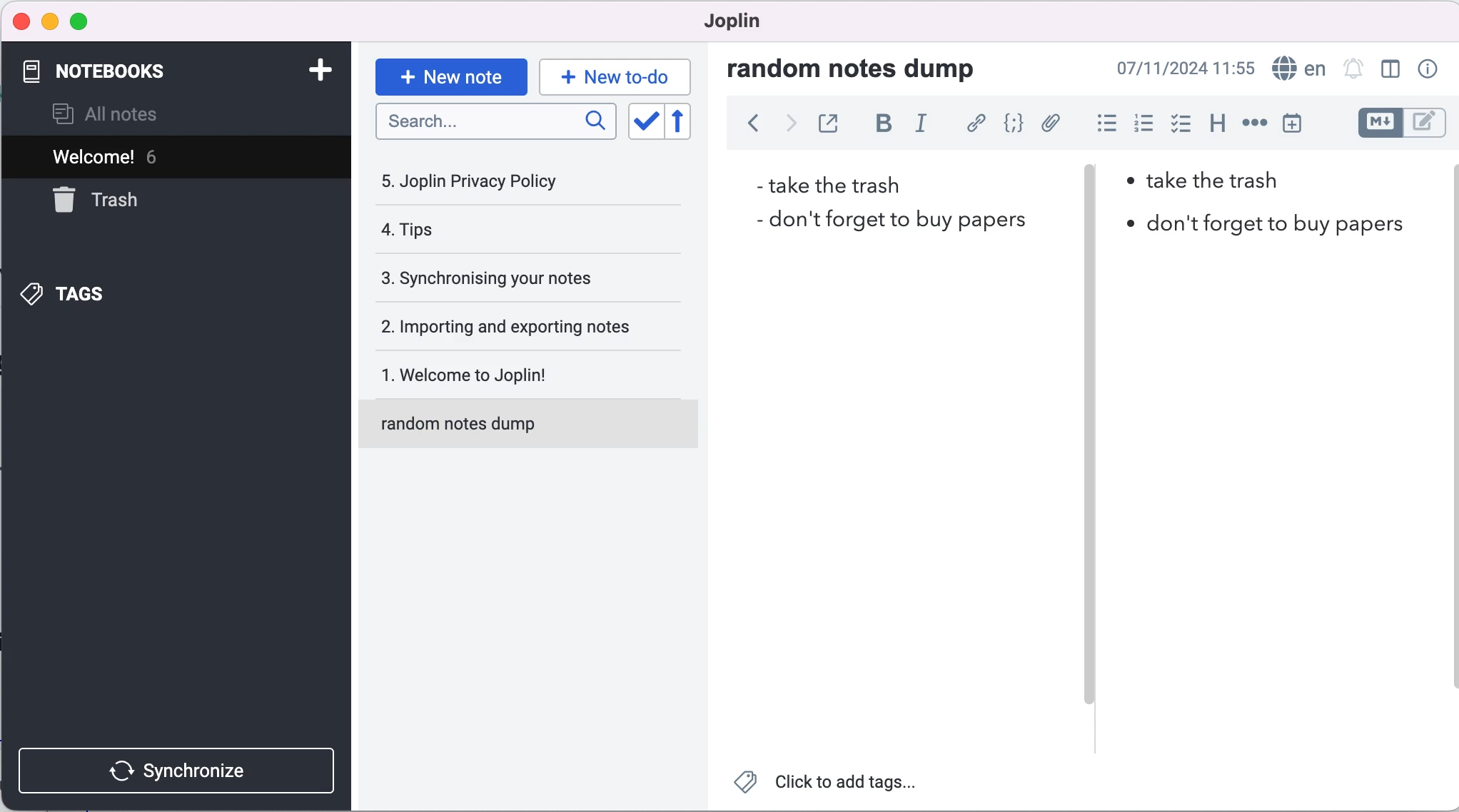  Describe the element at coordinates (1390, 70) in the screenshot. I see `toggle editor layout` at that location.